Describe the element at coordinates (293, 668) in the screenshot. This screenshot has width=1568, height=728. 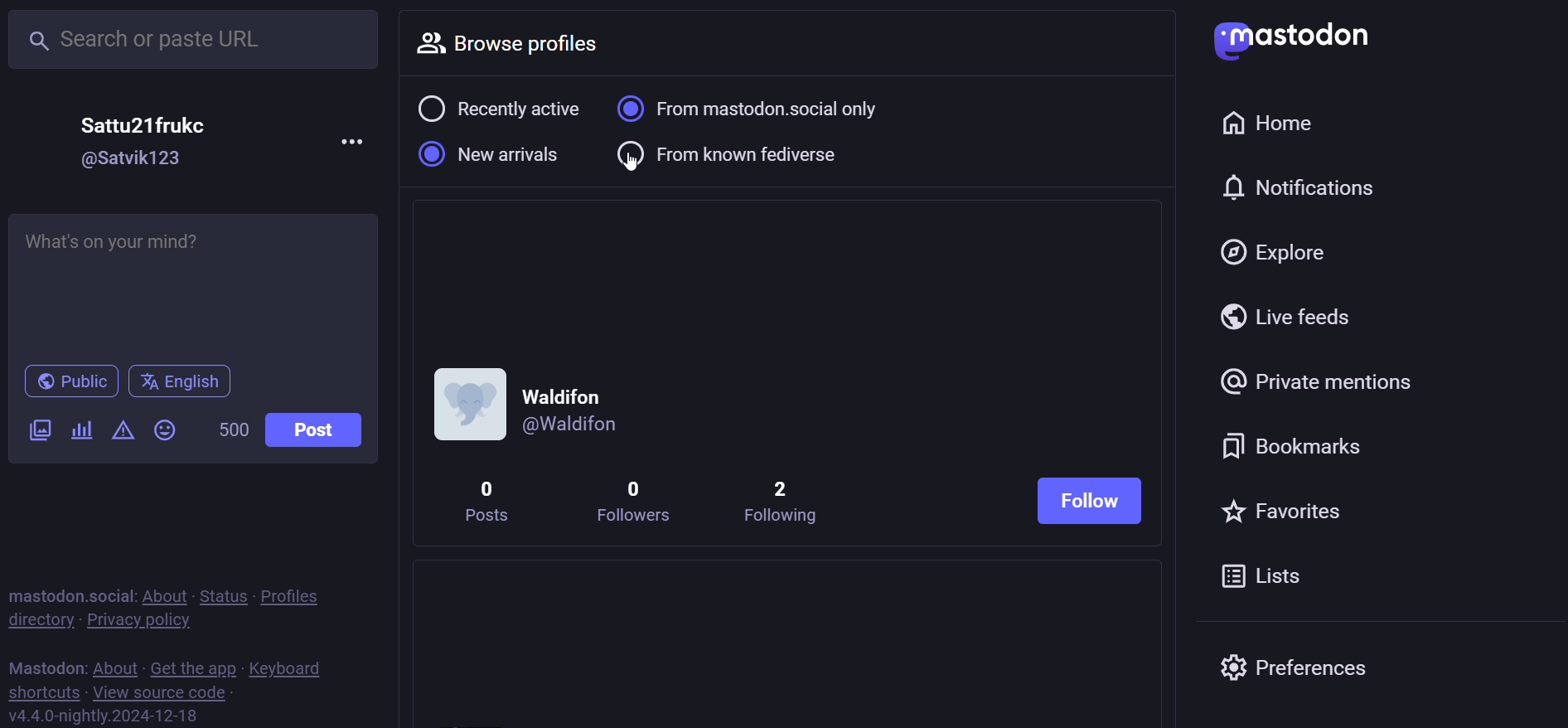
I see `keyboard` at that location.